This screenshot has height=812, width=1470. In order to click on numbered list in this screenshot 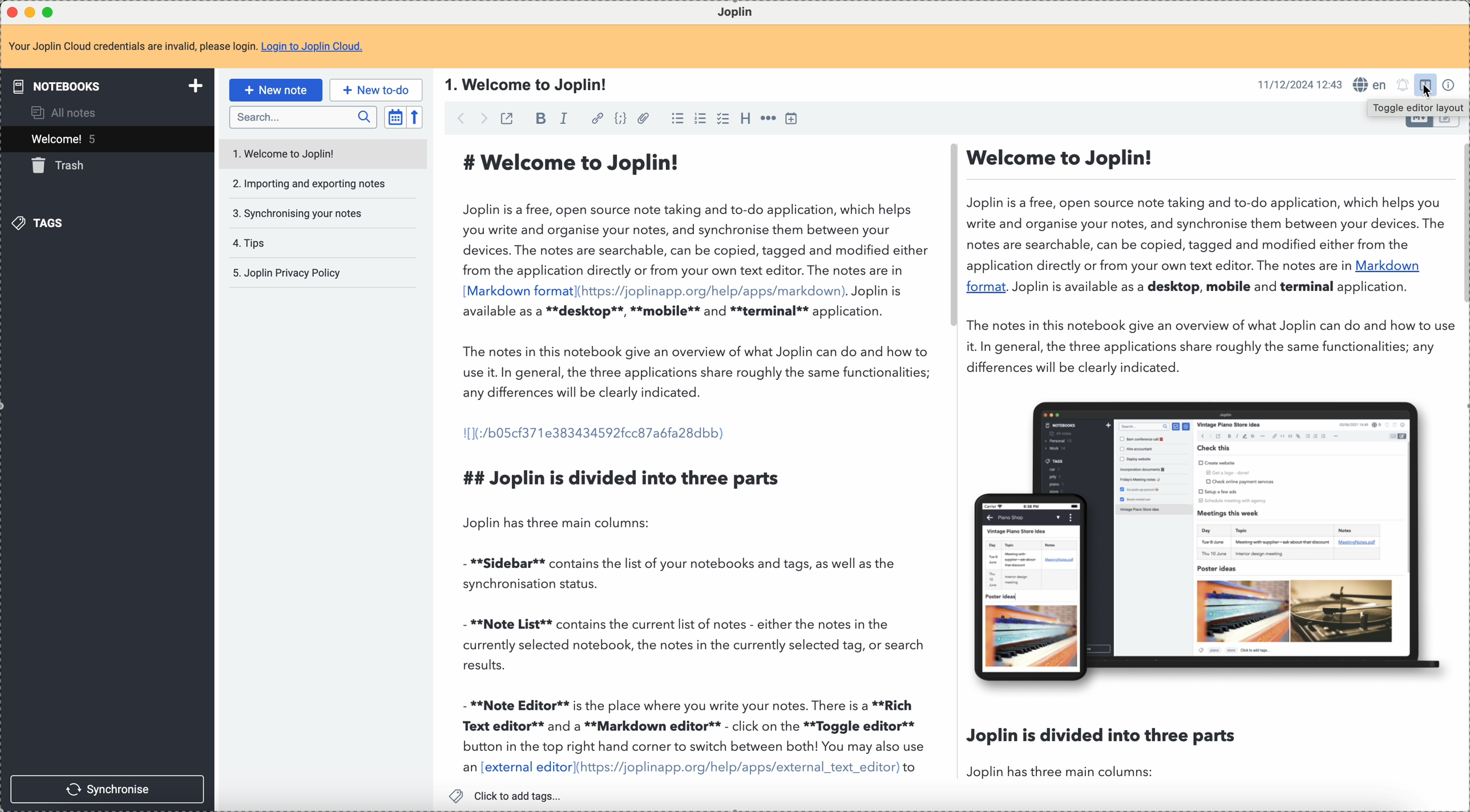, I will do `click(702, 118)`.